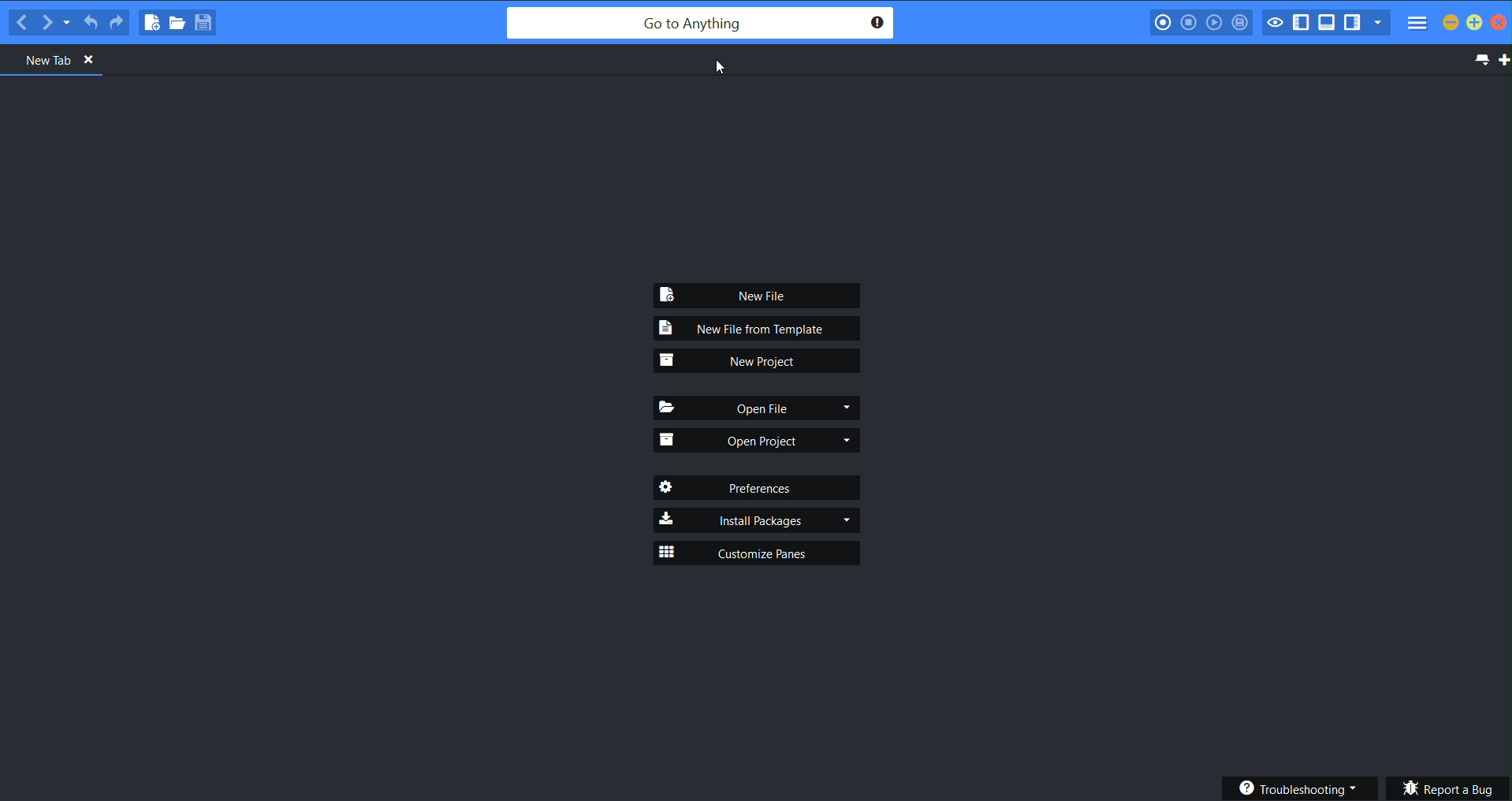 The height and width of the screenshot is (801, 1512). What do you see at coordinates (701, 23) in the screenshot?
I see `search bar` at bounding box center [701, 23].